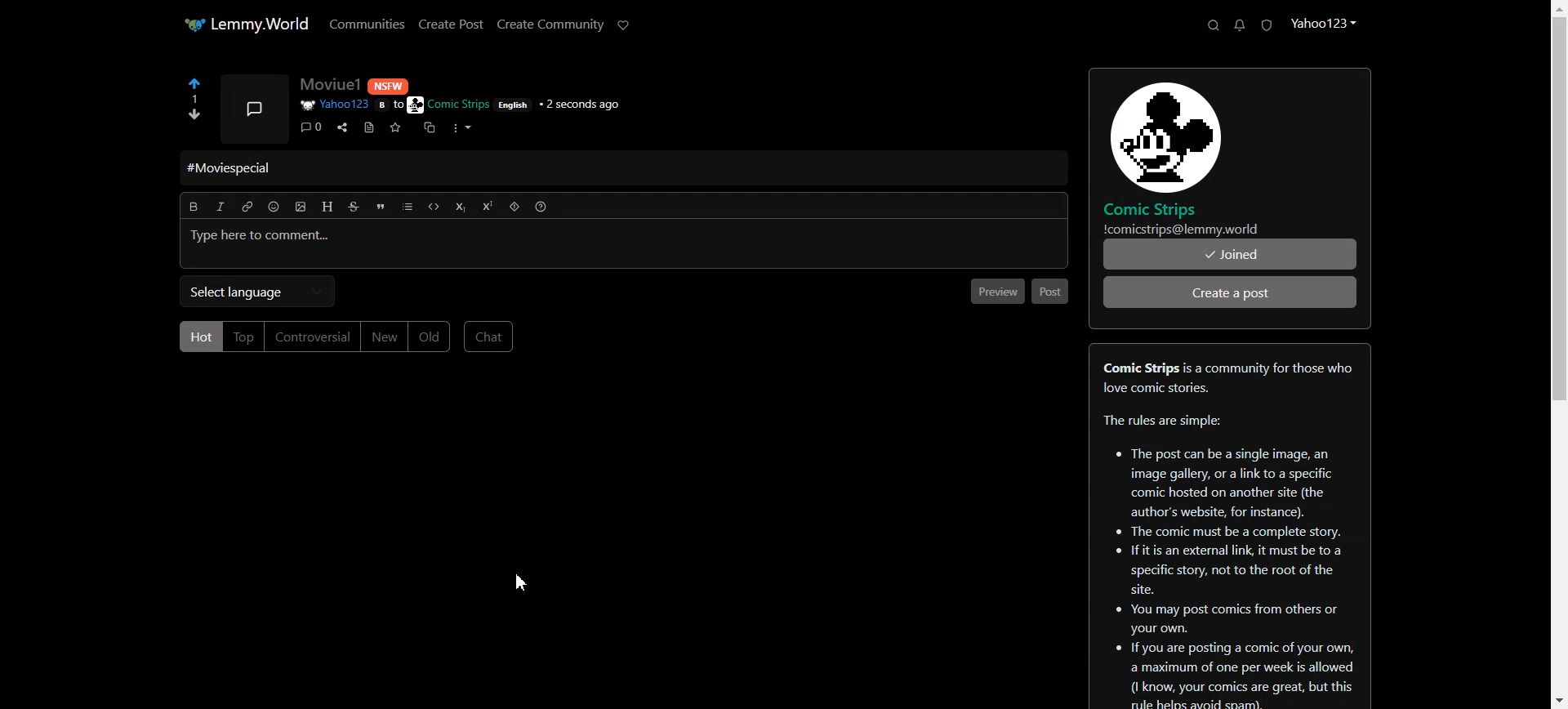 The width and height of the screenshot is (1568, 709). What do you see at coordinates (1051, 292) in the screenshot?
I see `Post` at bounding box center [1051, 292].